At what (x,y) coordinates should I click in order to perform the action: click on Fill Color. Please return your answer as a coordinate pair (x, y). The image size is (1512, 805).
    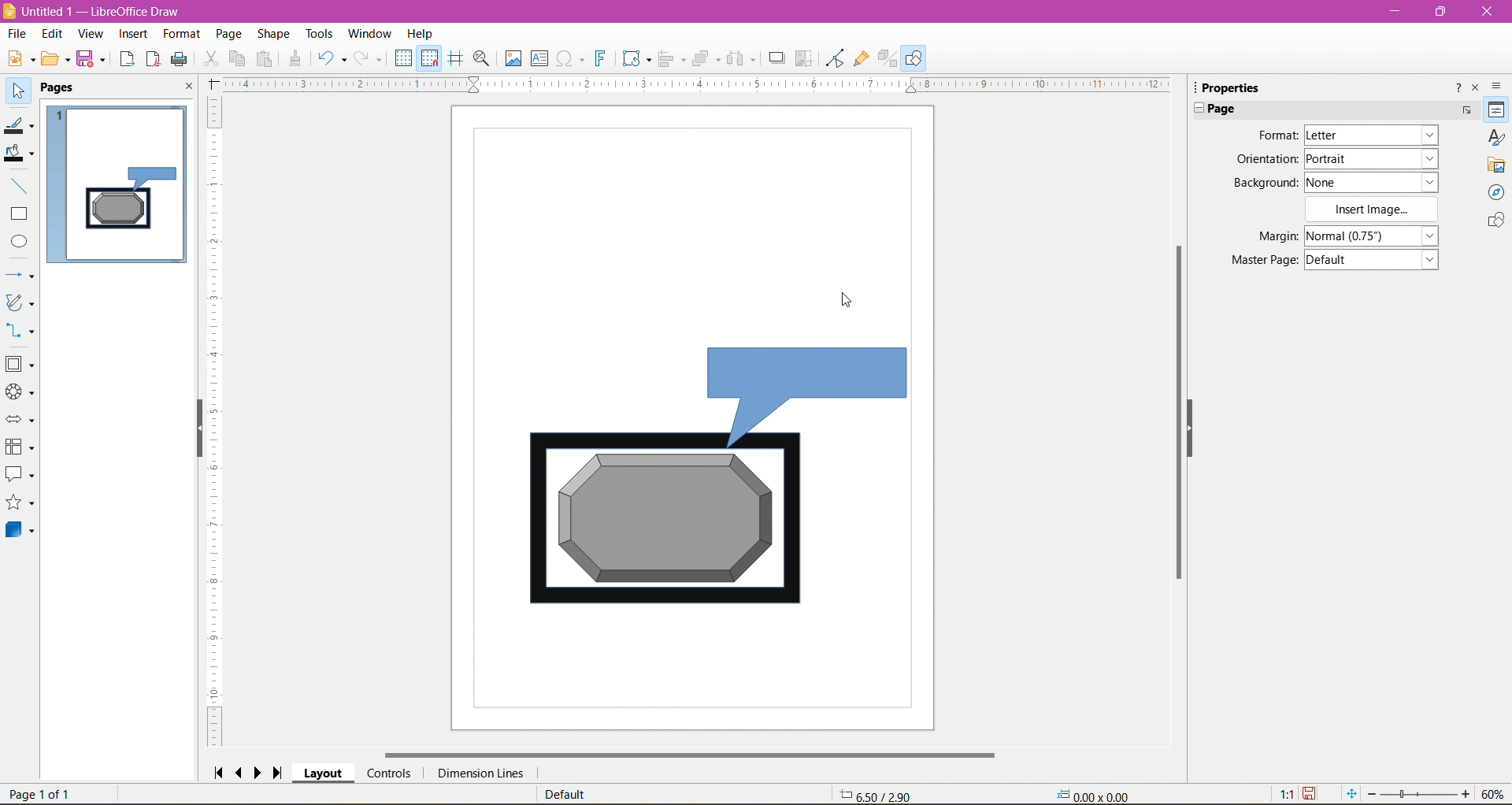
    Looking at the image, I should click on (21, 154).